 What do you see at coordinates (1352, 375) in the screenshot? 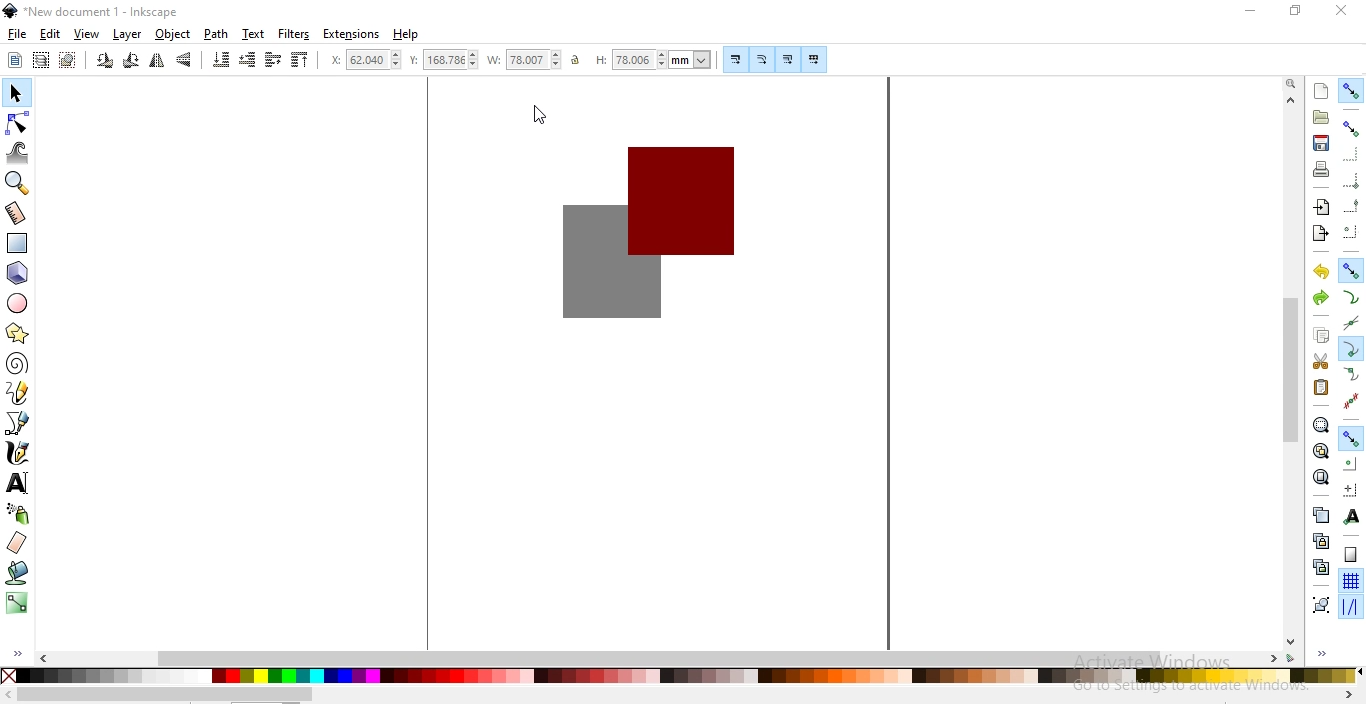
I see `snap smooth nodes` at bounding box center [1352, 375].